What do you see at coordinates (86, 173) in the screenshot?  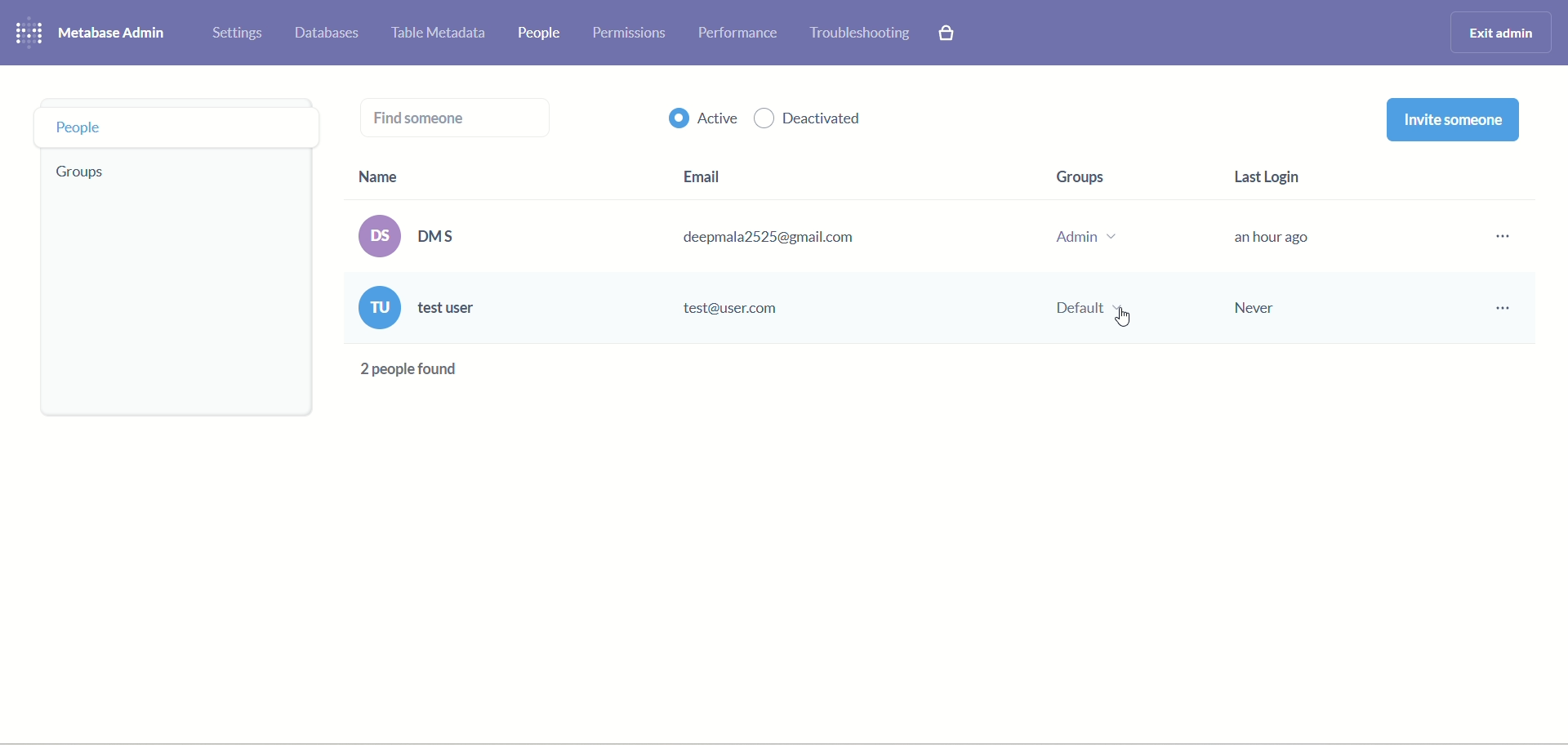 I see `groups` at bounding box center [86, 173].